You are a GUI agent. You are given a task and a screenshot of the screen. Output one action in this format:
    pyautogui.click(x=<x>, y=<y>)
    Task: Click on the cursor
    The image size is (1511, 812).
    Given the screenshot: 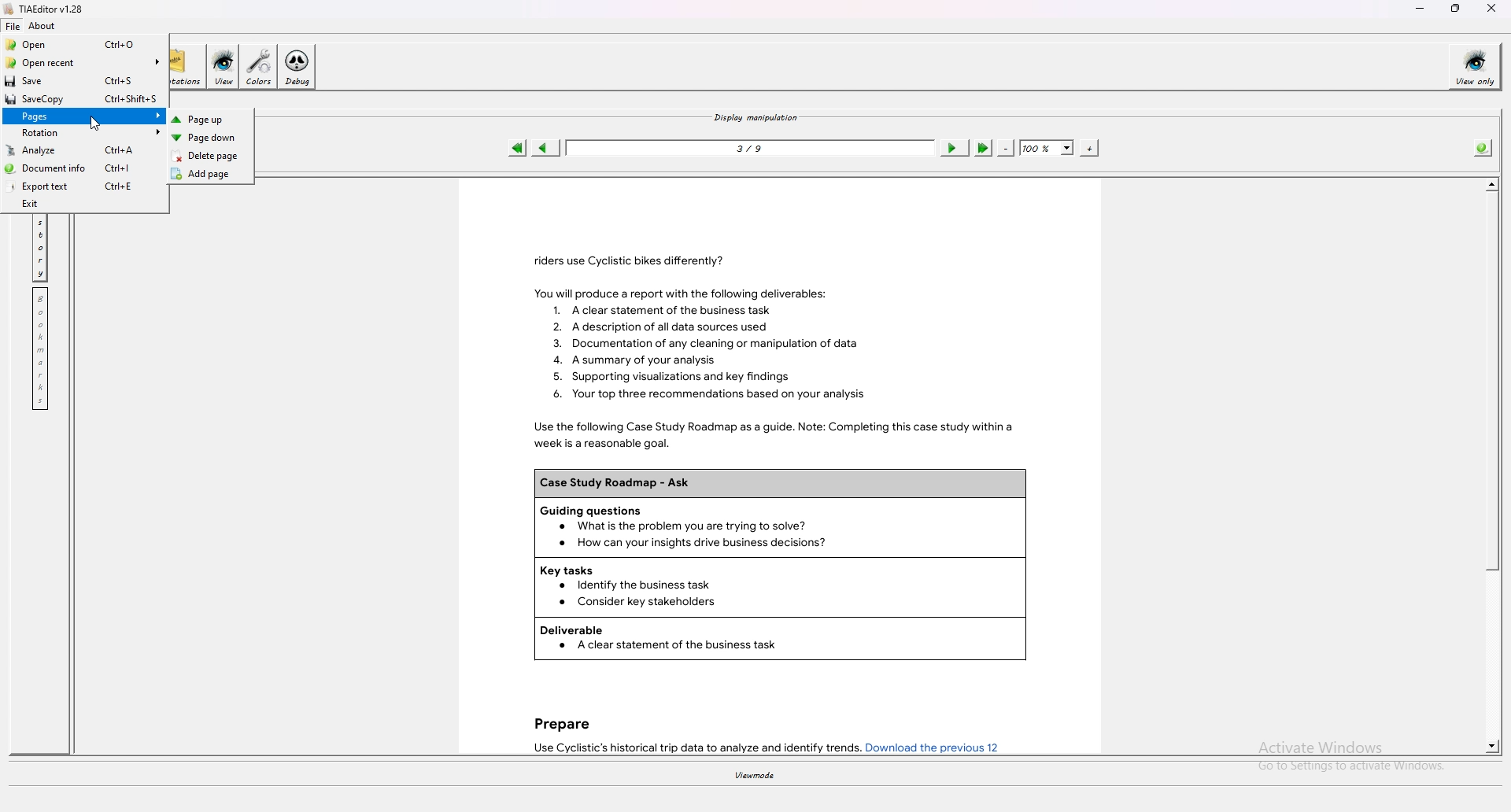 What is the action you would take?
    pyautogui.click(x=97, y=124)
    